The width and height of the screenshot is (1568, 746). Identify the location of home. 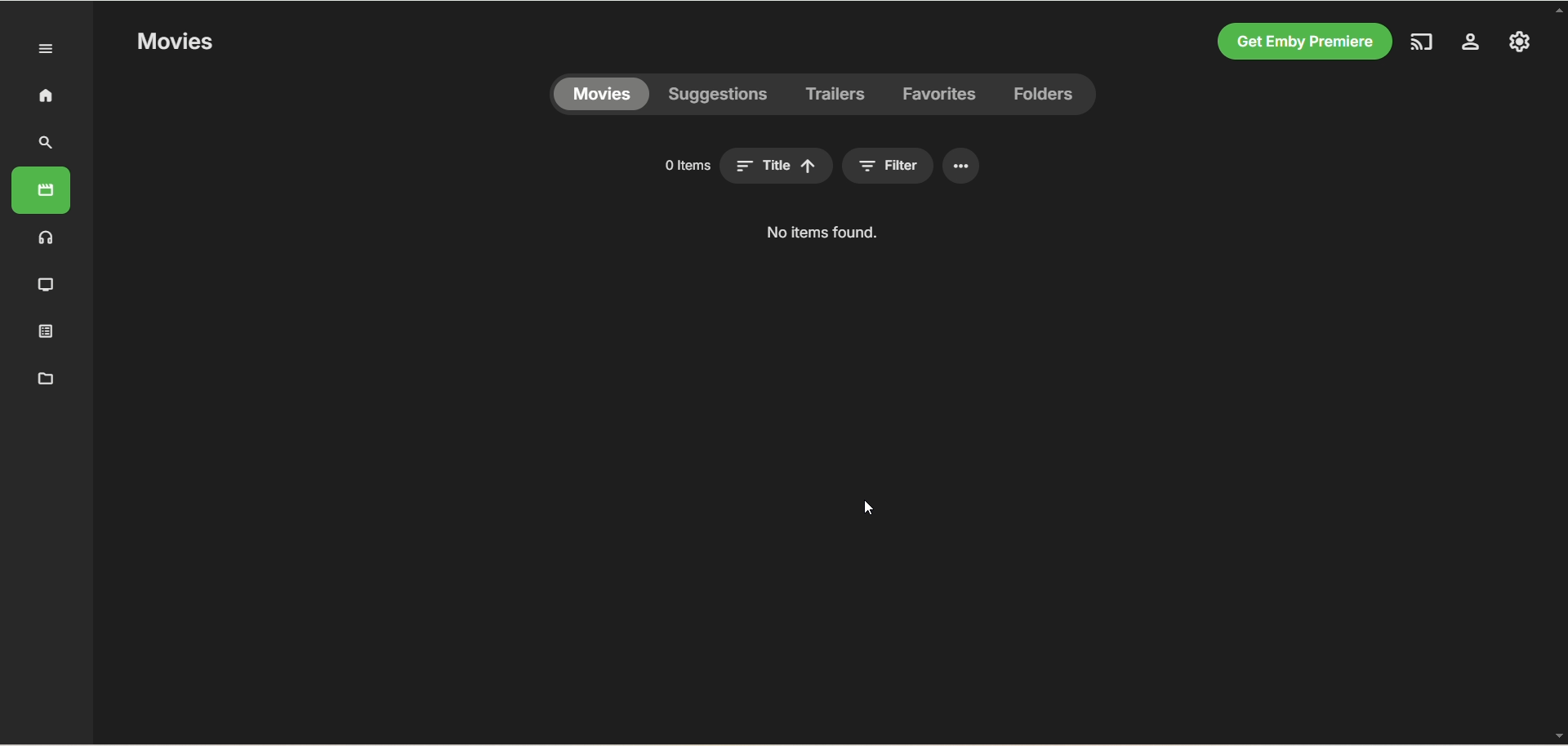
(45, 95).